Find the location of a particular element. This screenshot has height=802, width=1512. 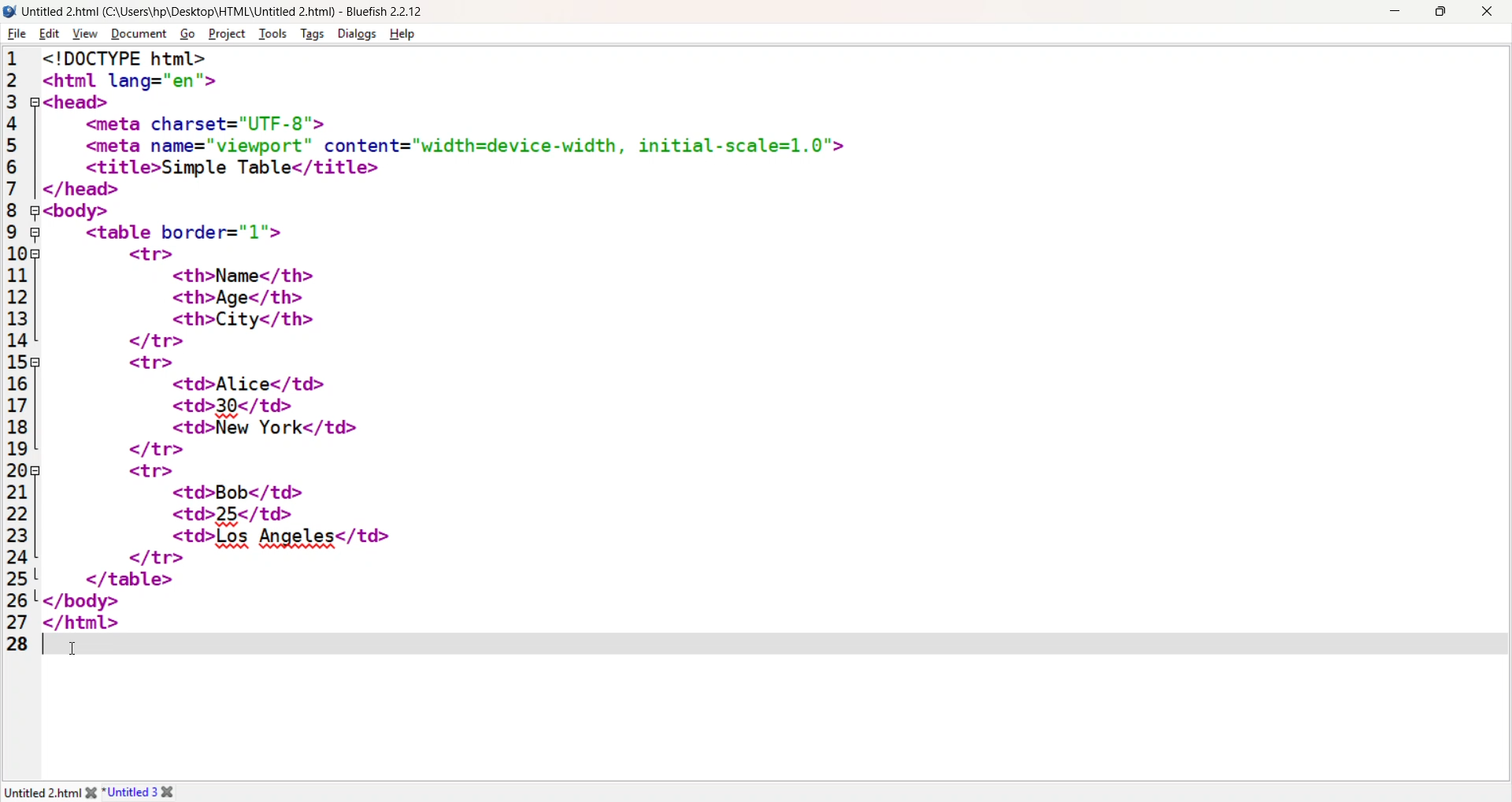

View is located at coordinates (83, 34).